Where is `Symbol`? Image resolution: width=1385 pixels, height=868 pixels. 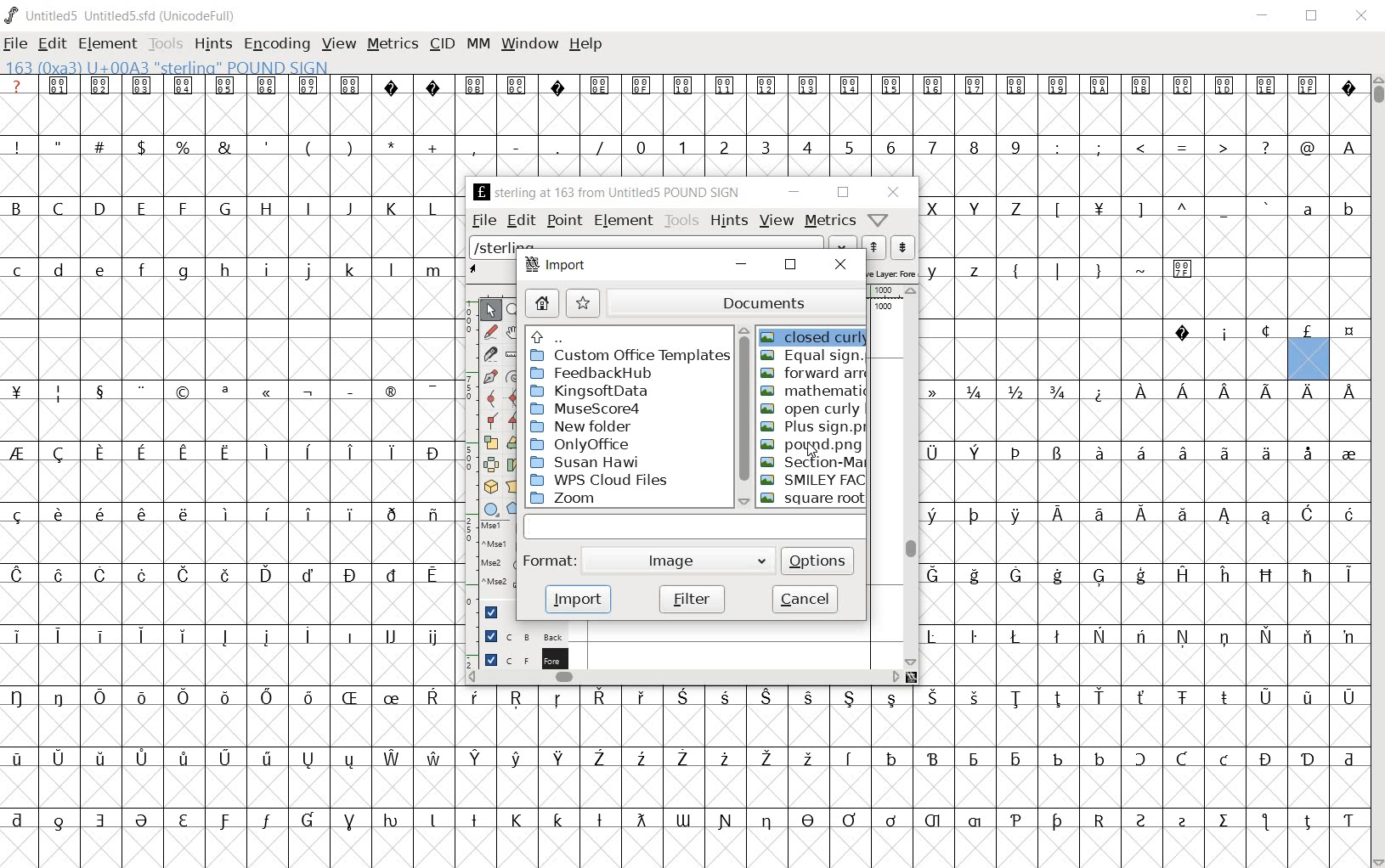
Symbol is located at coordinates (59, 392).